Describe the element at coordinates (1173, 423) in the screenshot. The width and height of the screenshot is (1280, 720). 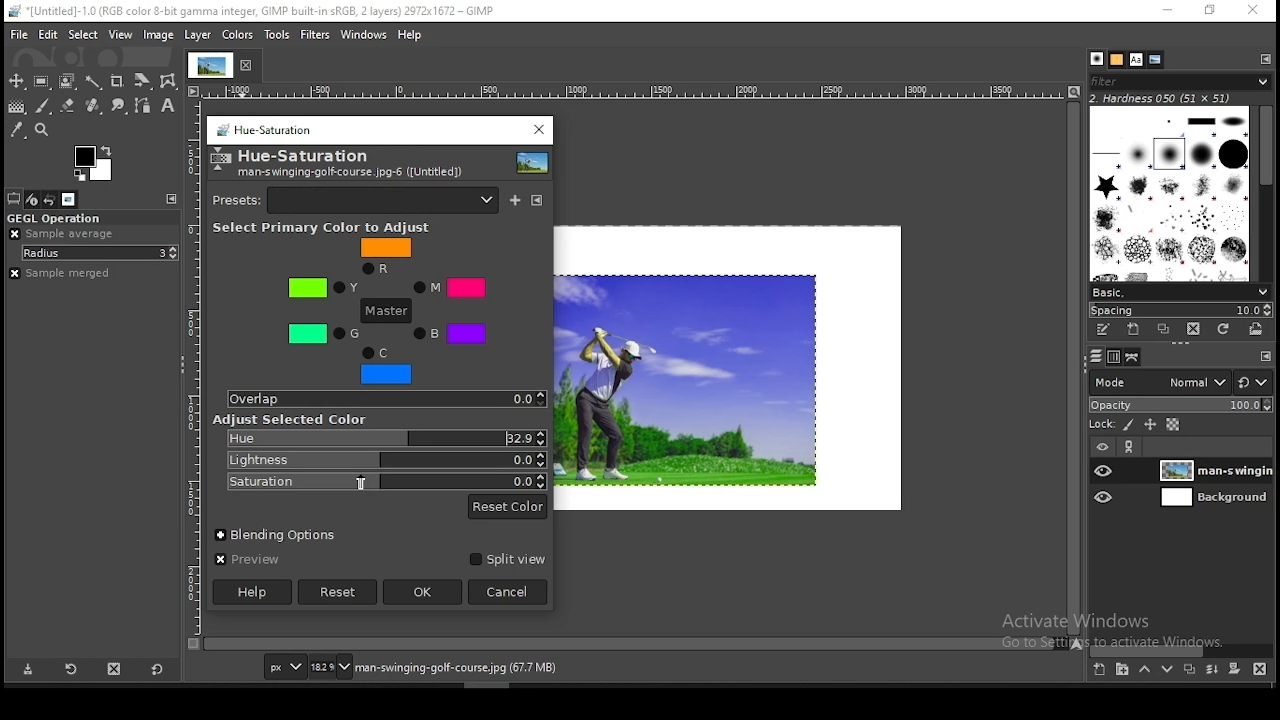
I see `lock alpha channel` at that location.